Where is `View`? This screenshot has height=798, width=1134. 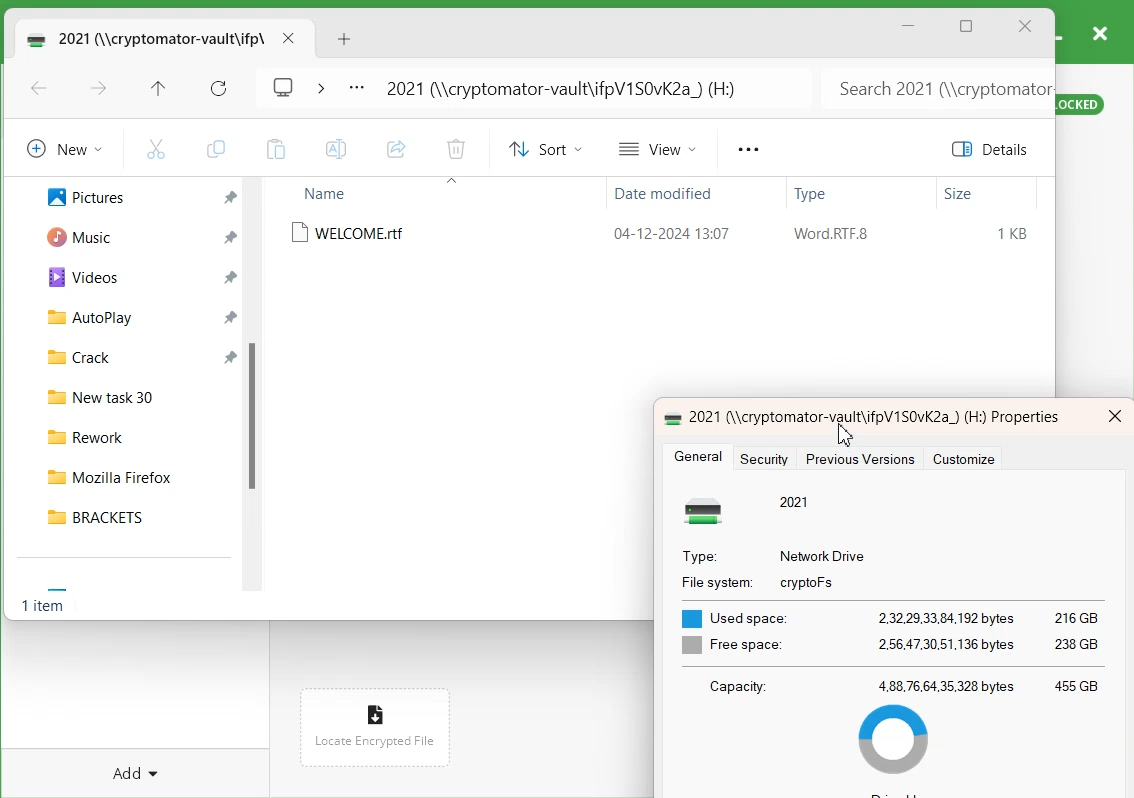 View is located at coordinates (659, 148).